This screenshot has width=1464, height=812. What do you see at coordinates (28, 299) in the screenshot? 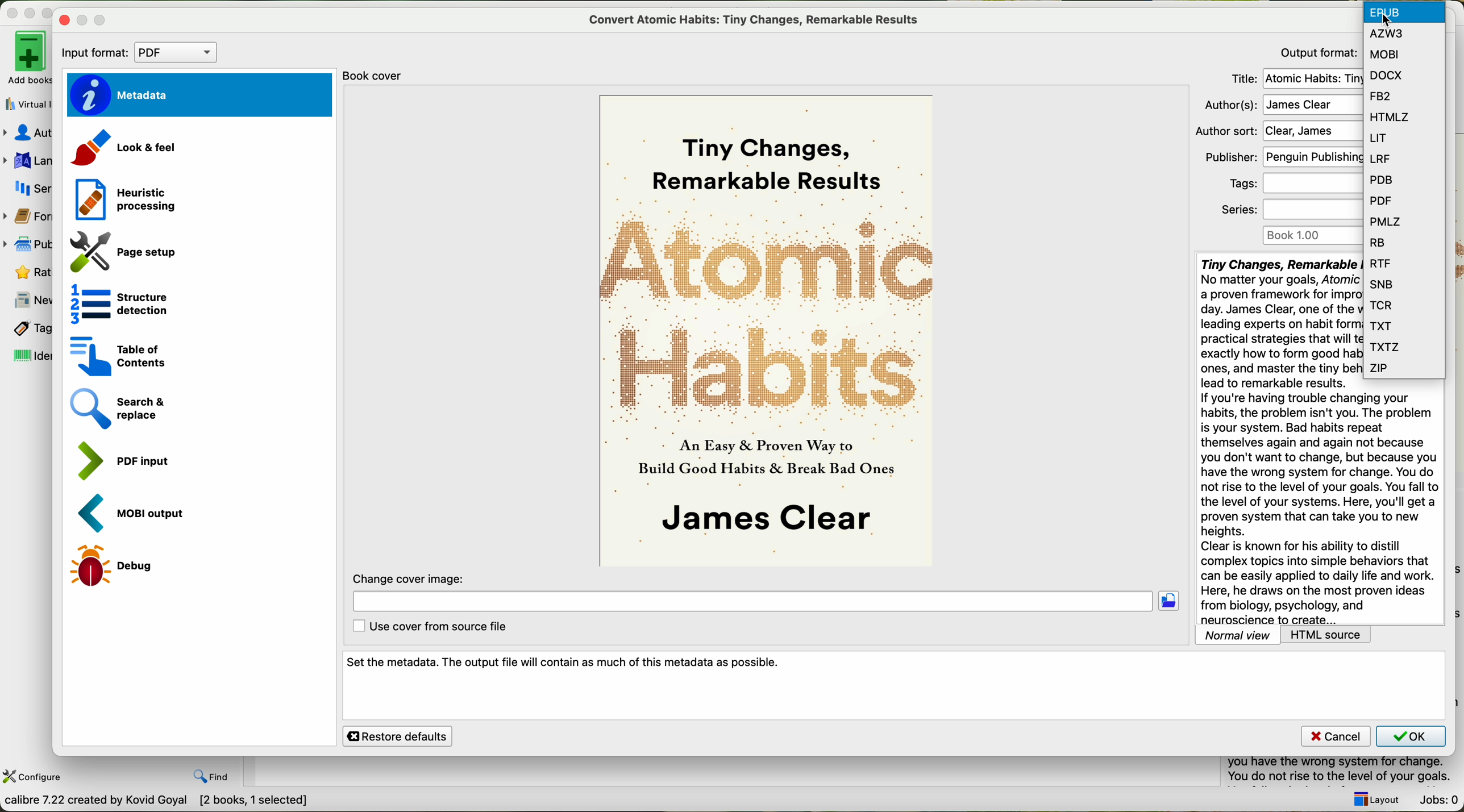
I see `news` at bounding box center [28, 299].